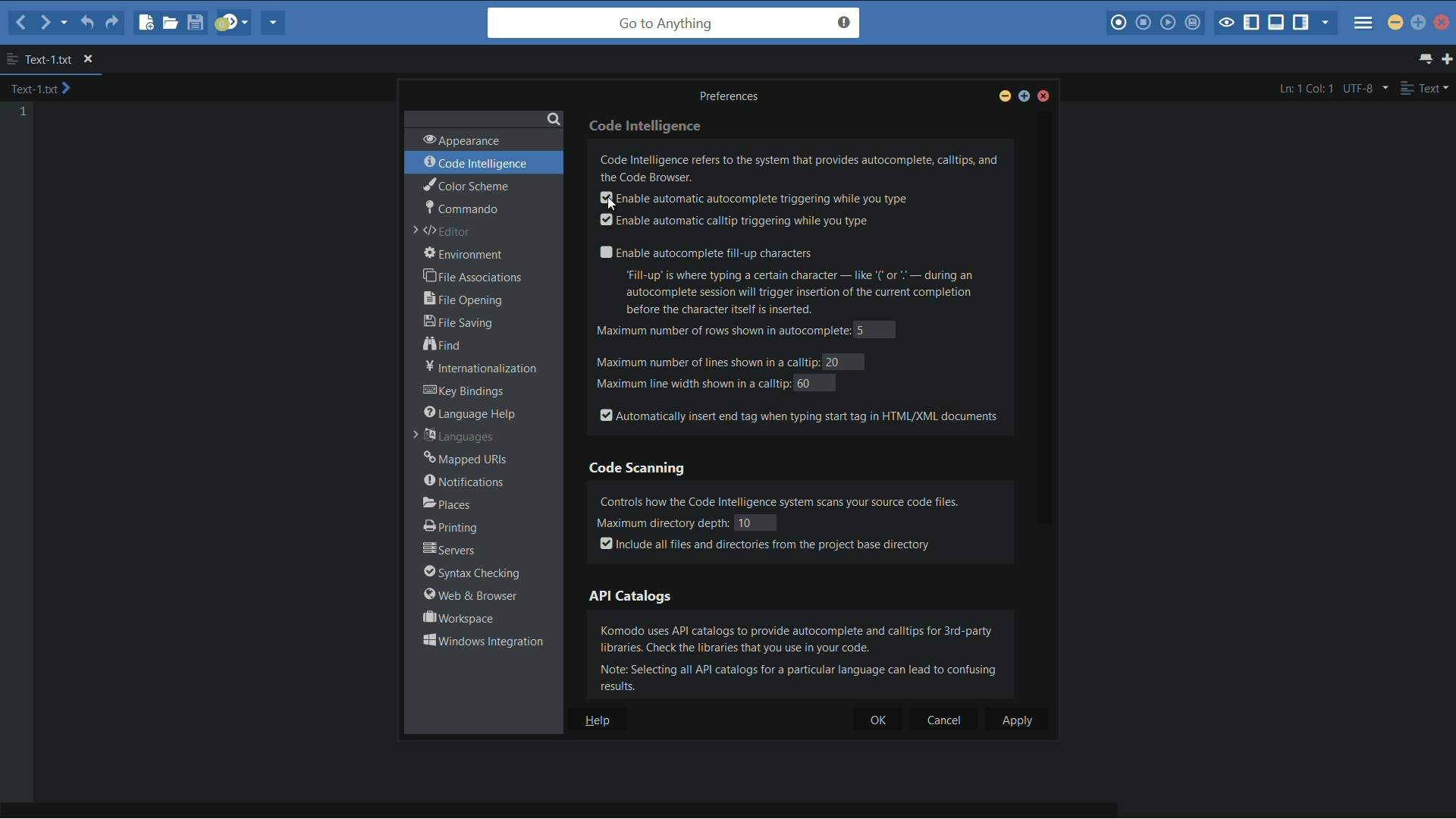 This screenshot has width=1456, height=819. What do you see at coordinates (1252, 24) in the screenshot?
I see `show/hide left panel` at bounding box center [1252, 24].